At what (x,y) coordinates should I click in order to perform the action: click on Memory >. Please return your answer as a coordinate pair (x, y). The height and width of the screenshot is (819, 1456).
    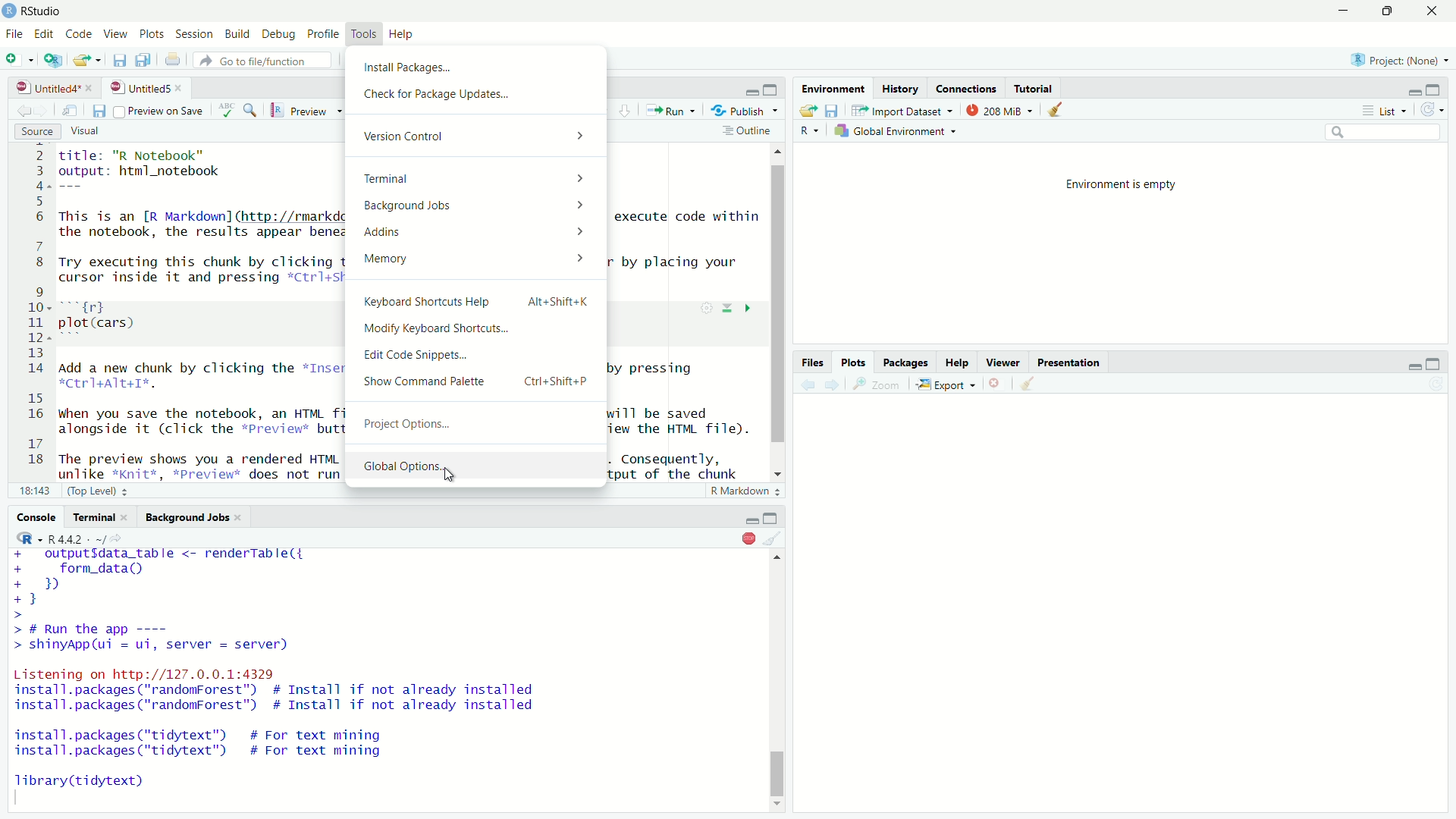
    Looking at the image, I should click on (475, 260).